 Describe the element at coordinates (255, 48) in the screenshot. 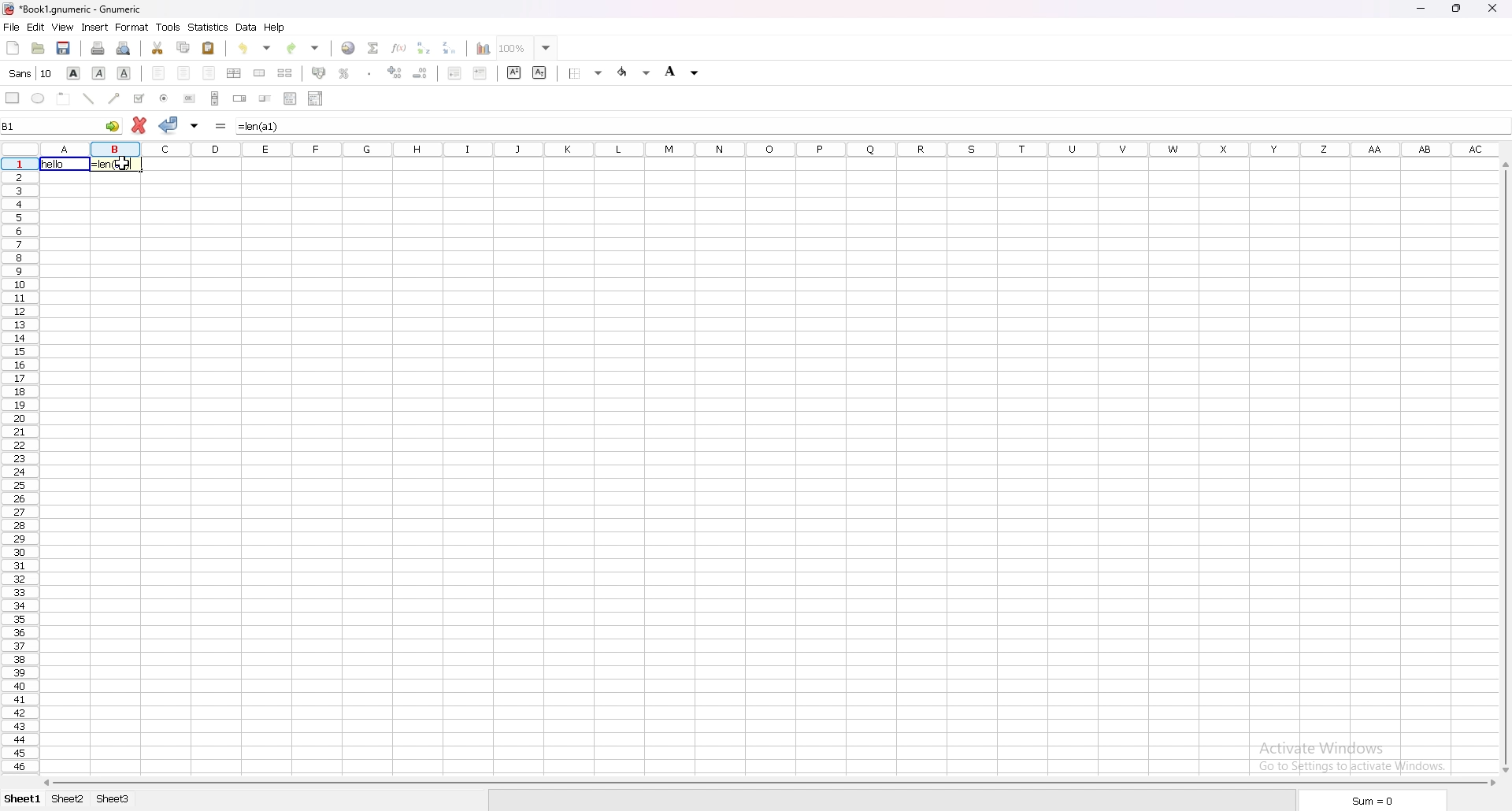

I see `undo` at that location.